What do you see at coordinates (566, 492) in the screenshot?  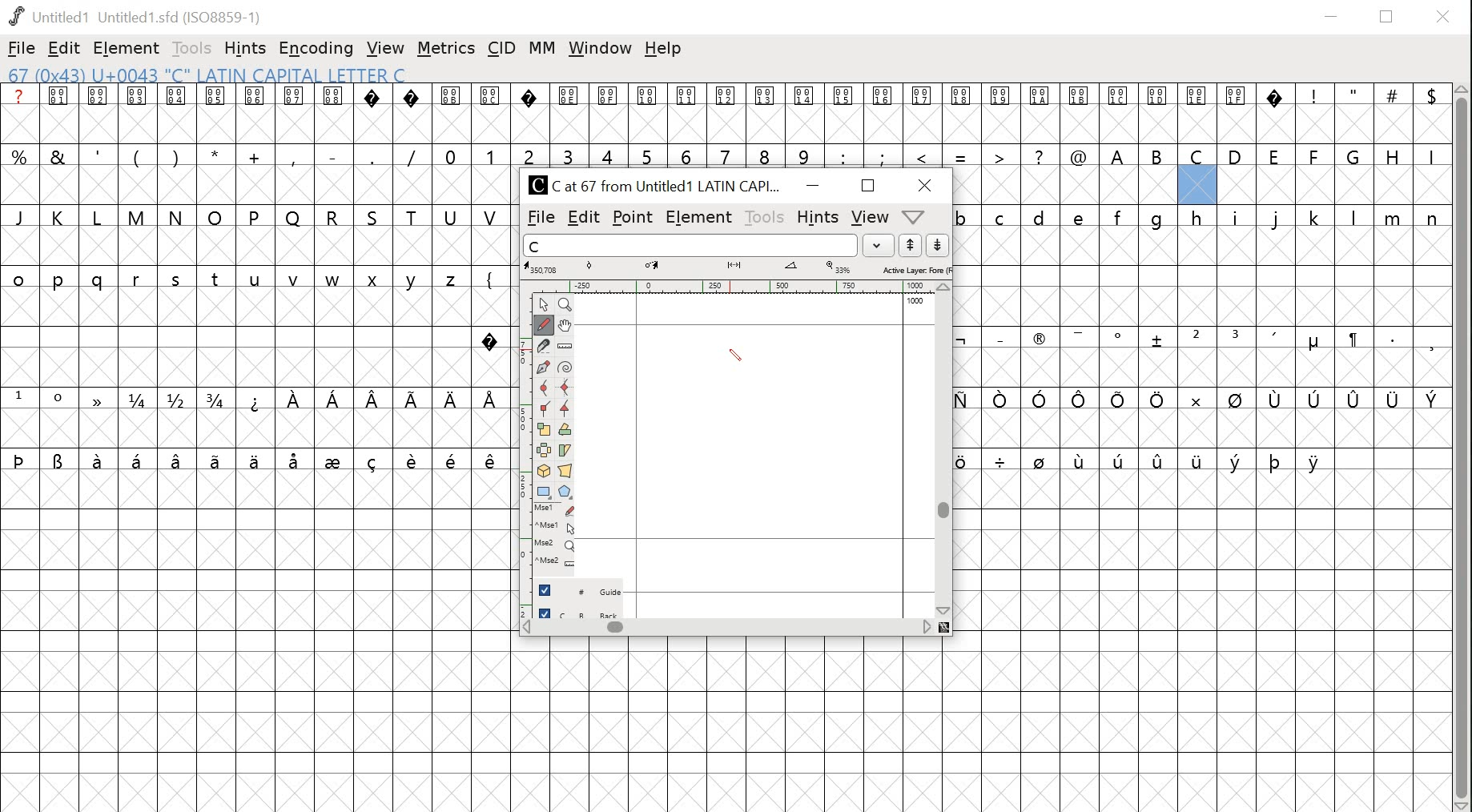 I see `polygon/star` at bounding box center [566, 492].